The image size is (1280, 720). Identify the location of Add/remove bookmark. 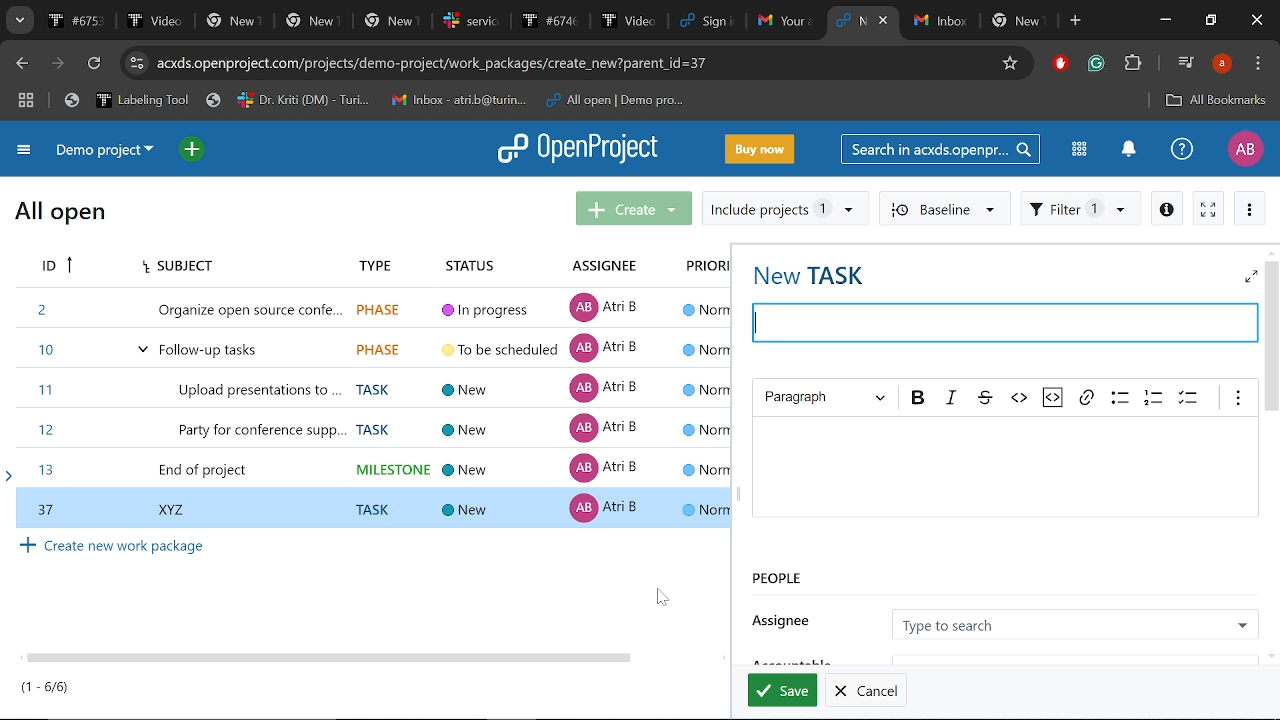
(1007, 65).